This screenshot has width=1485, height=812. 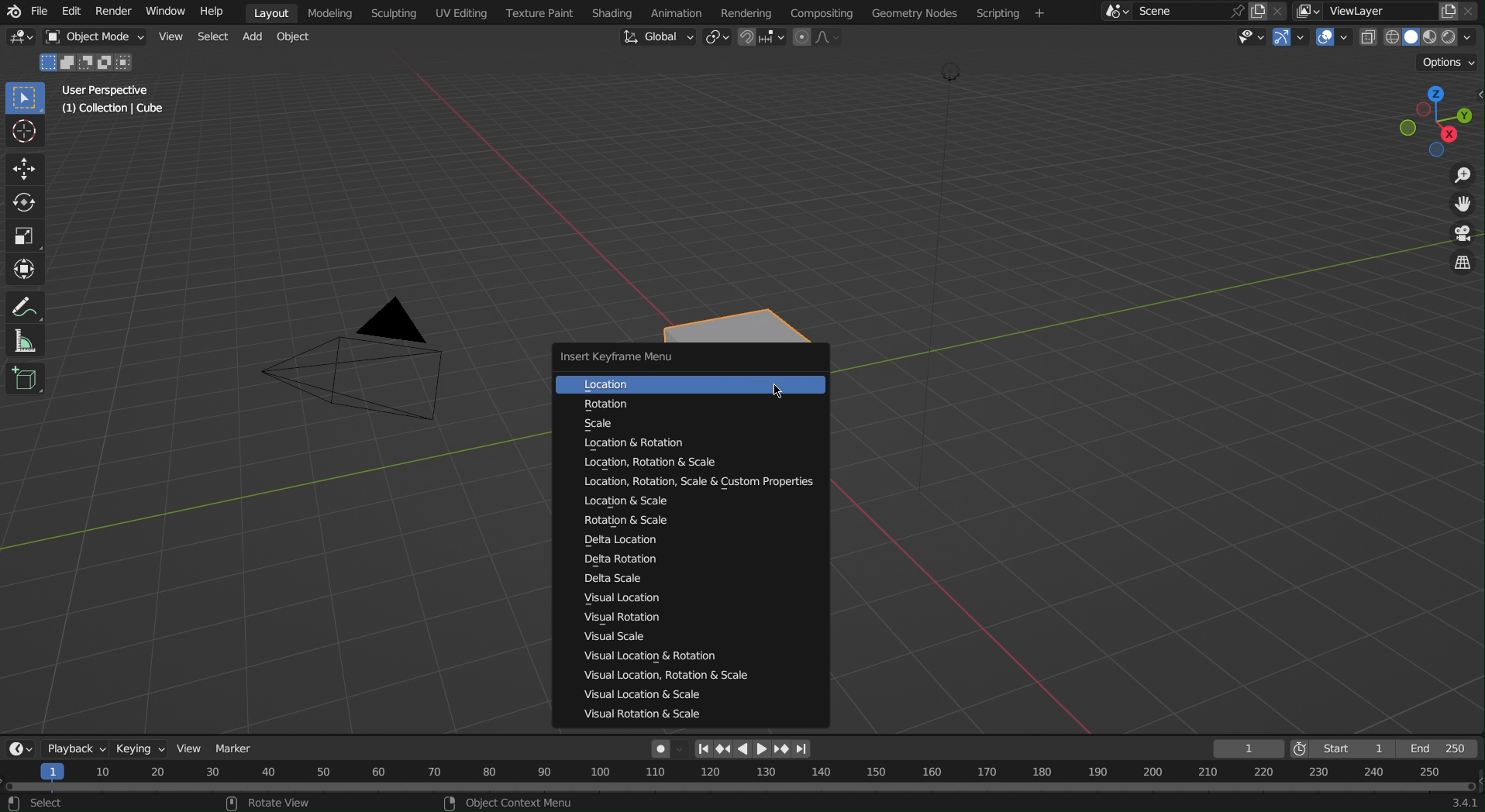 What do you see at coordinates (780, 391) in the screenshot?
I see `Cursor` at bounding box center [780, 391].